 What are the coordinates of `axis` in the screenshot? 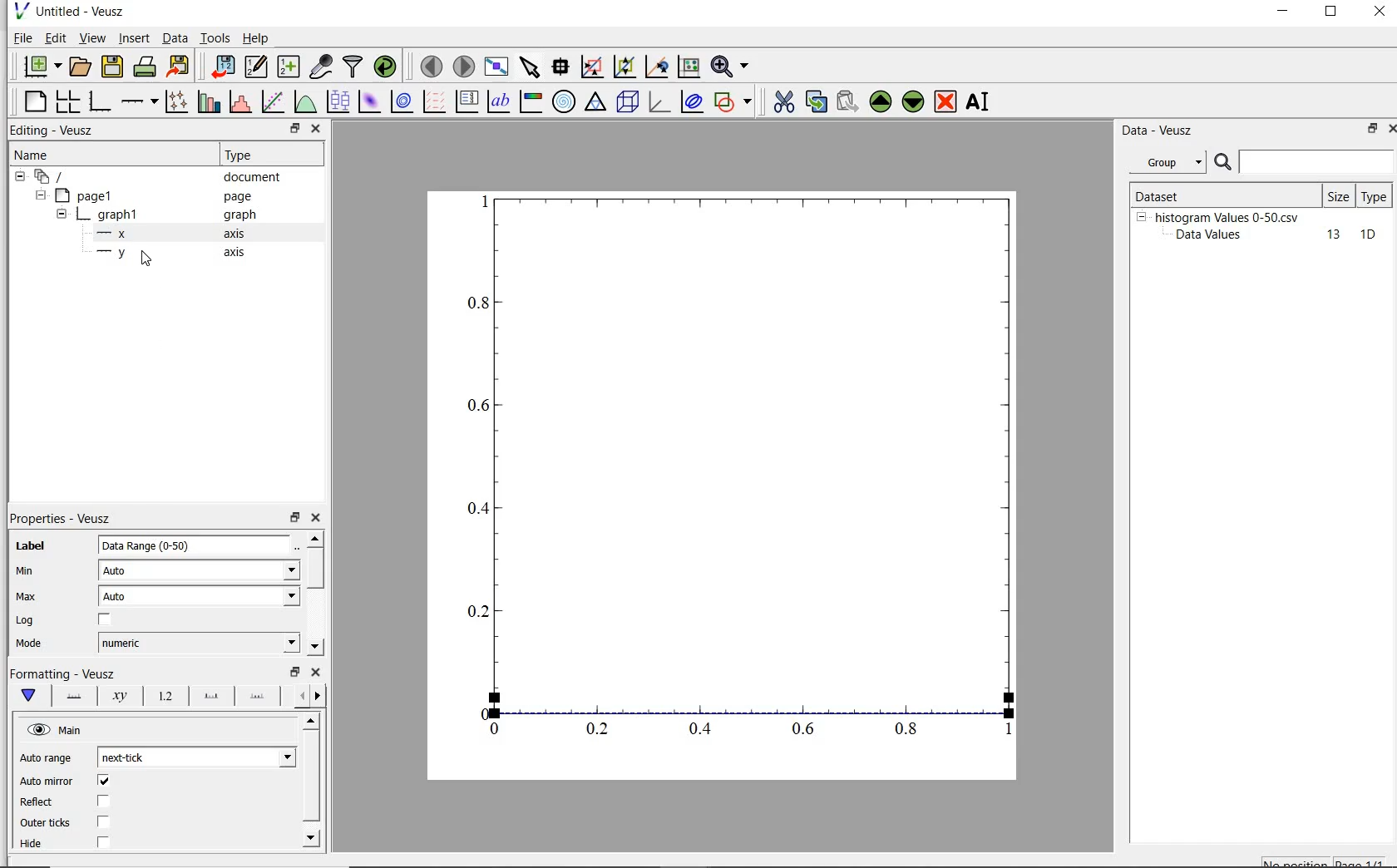 It's located at (239, 254).